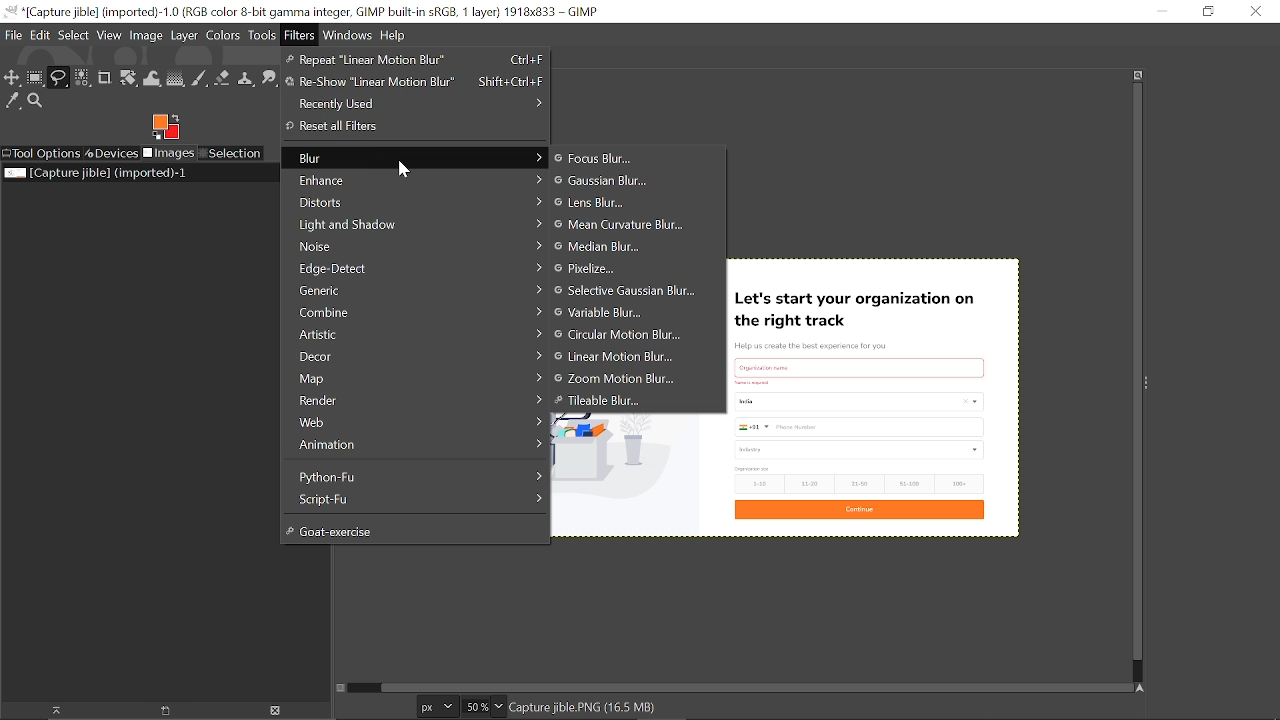 The height and width of the screenshot is (720, 1280). Describe the element at coordinates (616, 313) in the screenshot. I see `Variable blur` at that location.